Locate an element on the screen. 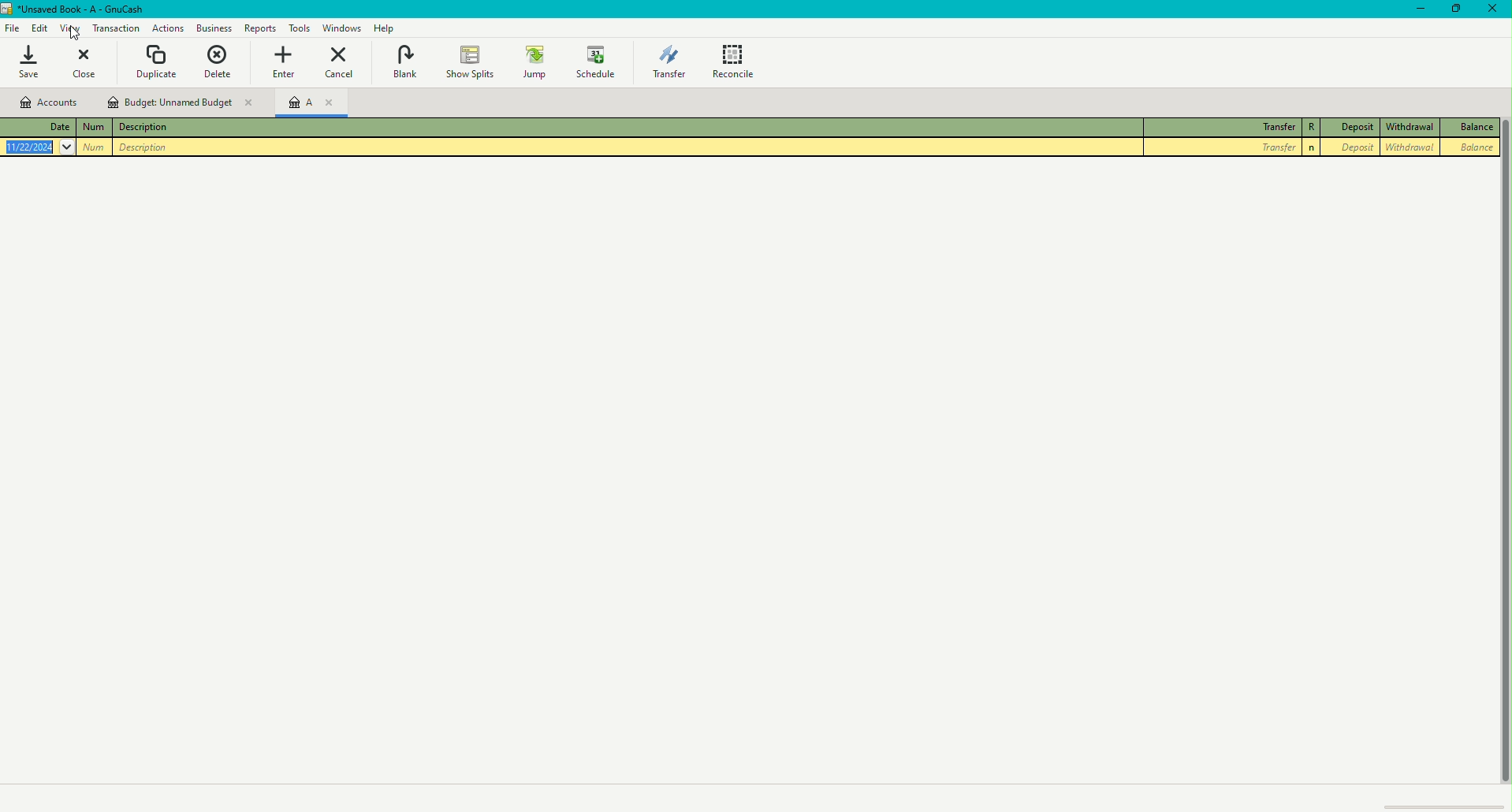 This screenshot has width=1512, height=812. Action is located at coordinates (166, 28).